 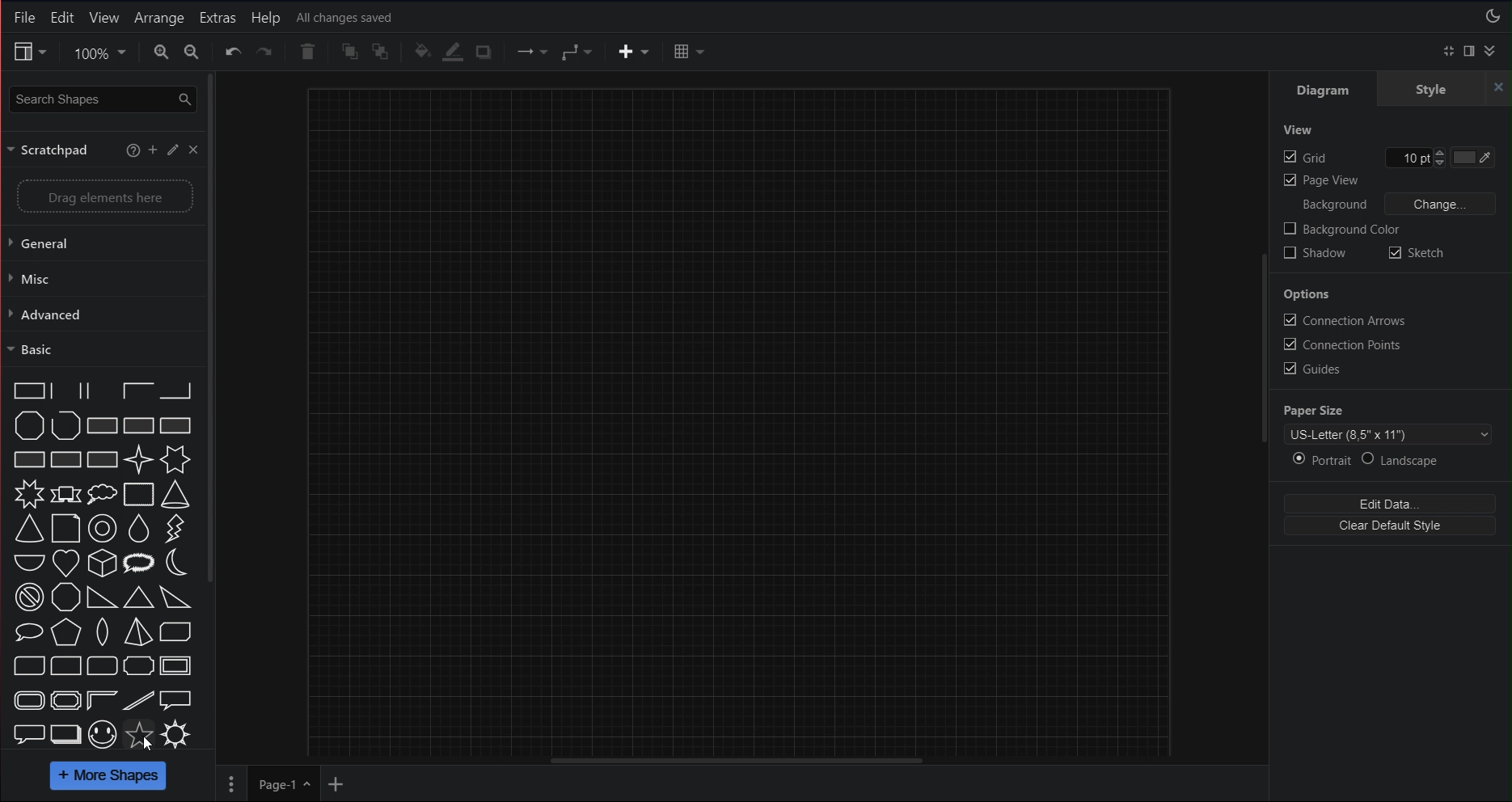 I want to click on To Front, so click(x=348, y=52).